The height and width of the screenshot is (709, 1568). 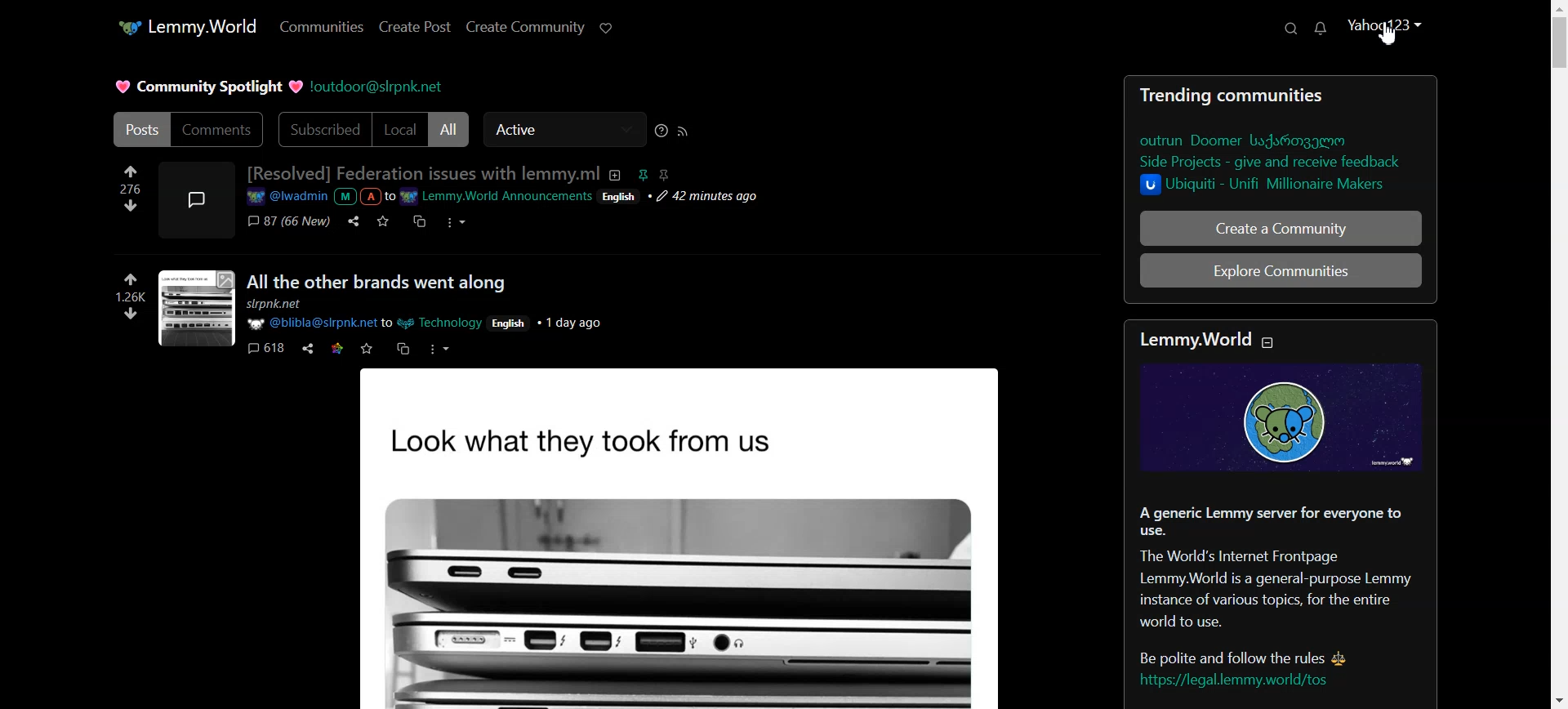 I want to click on share, so click(x=308, y=348).